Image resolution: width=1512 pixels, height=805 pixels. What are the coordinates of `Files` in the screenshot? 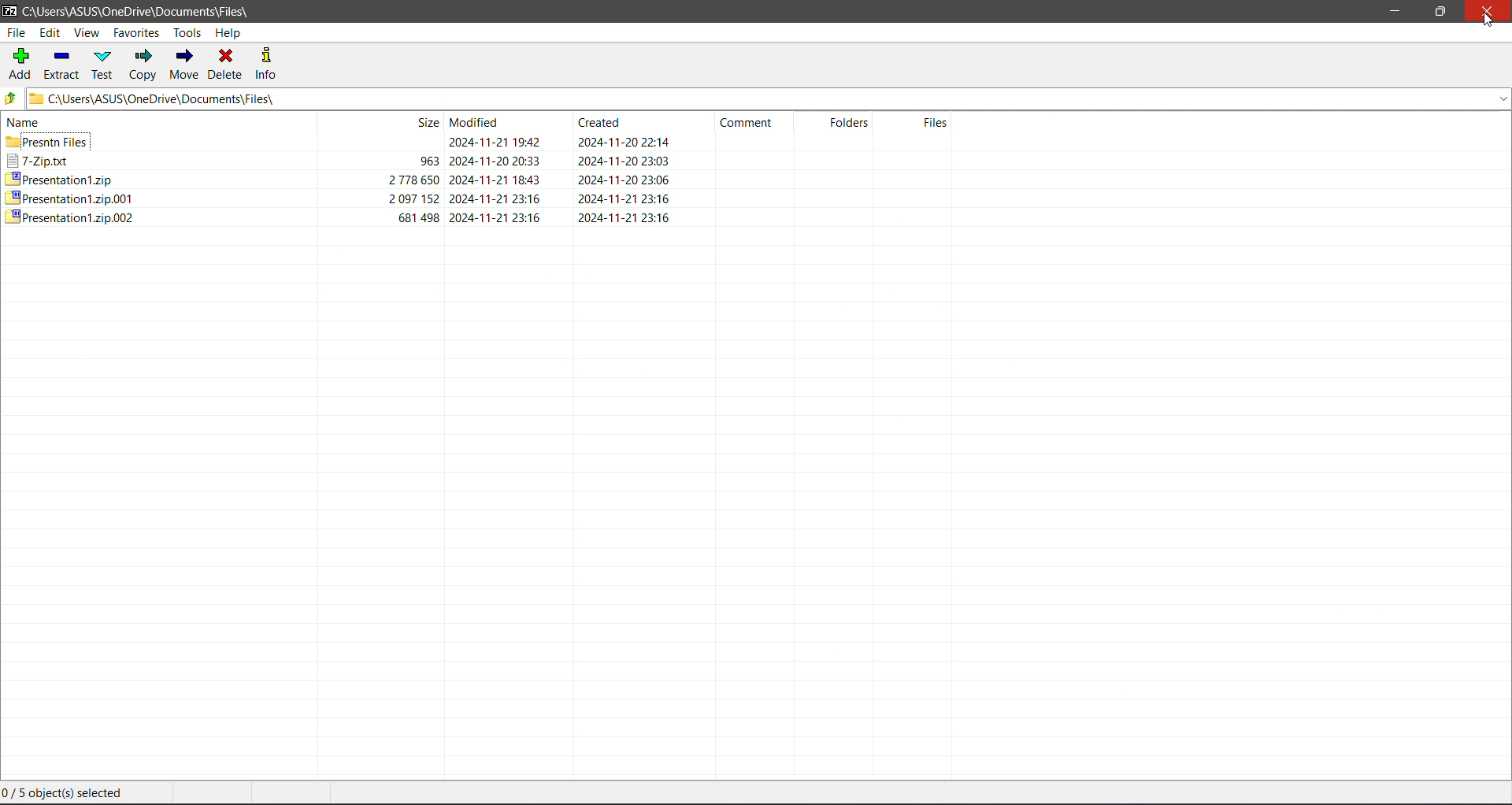 It's located at (943, 122).